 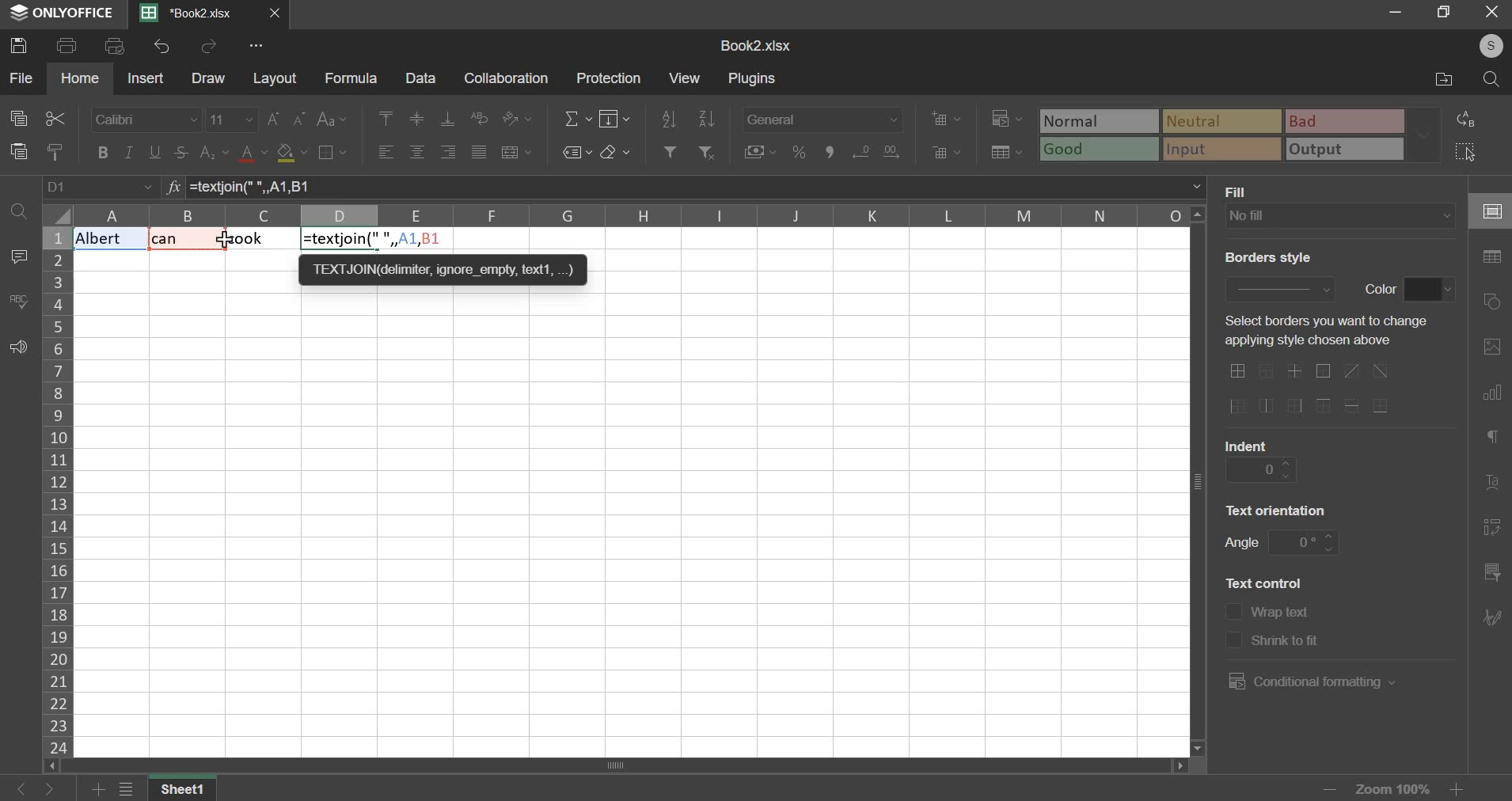 What do you see at coordinates (633, 216) in the screenshot?
I see `columns` at bounding box center [633, 216].